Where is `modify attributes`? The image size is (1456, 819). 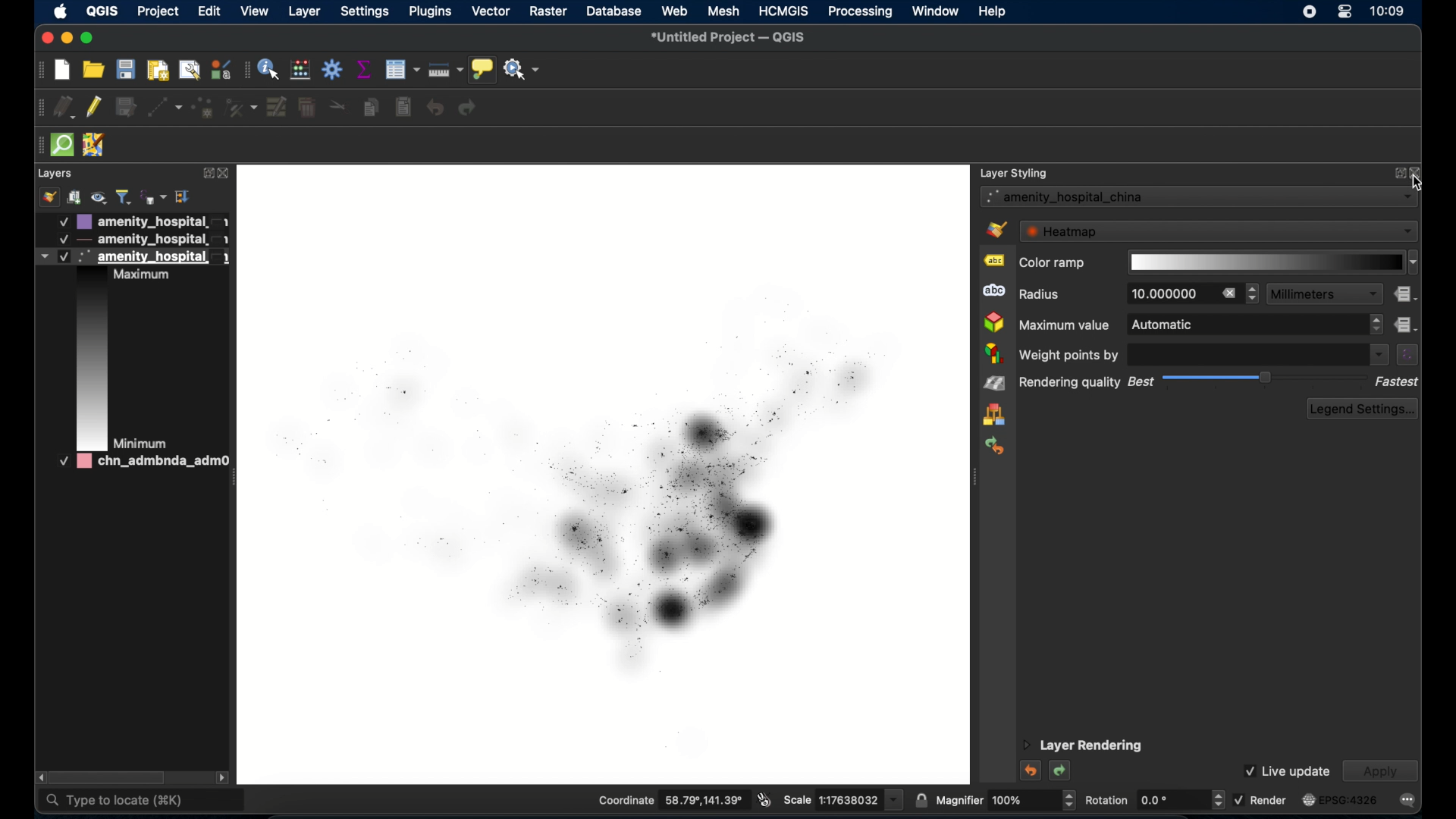
modify attributes is located at coordinates (277, 108).